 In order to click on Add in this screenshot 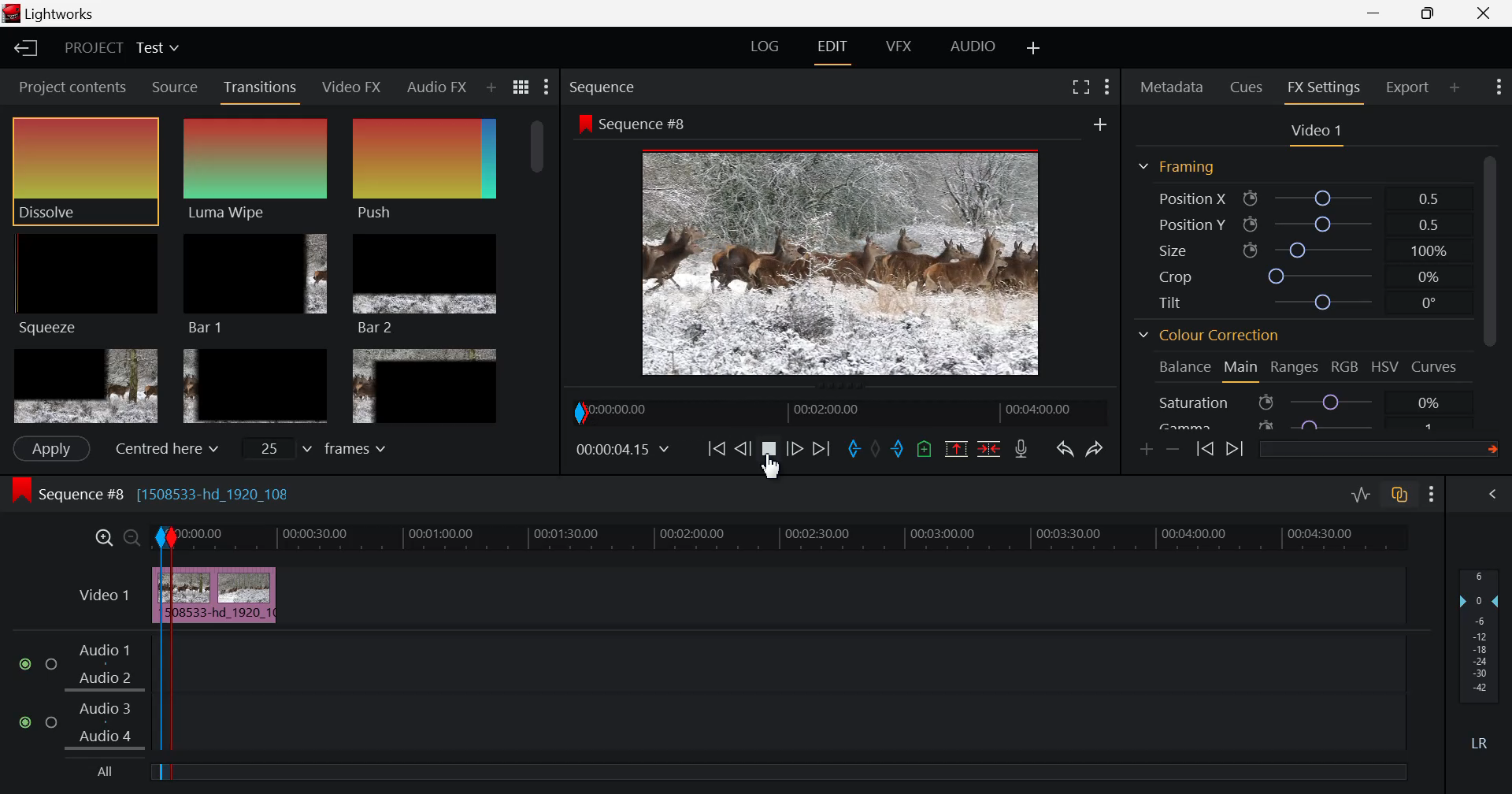, I will do `click(1100, 124)`.